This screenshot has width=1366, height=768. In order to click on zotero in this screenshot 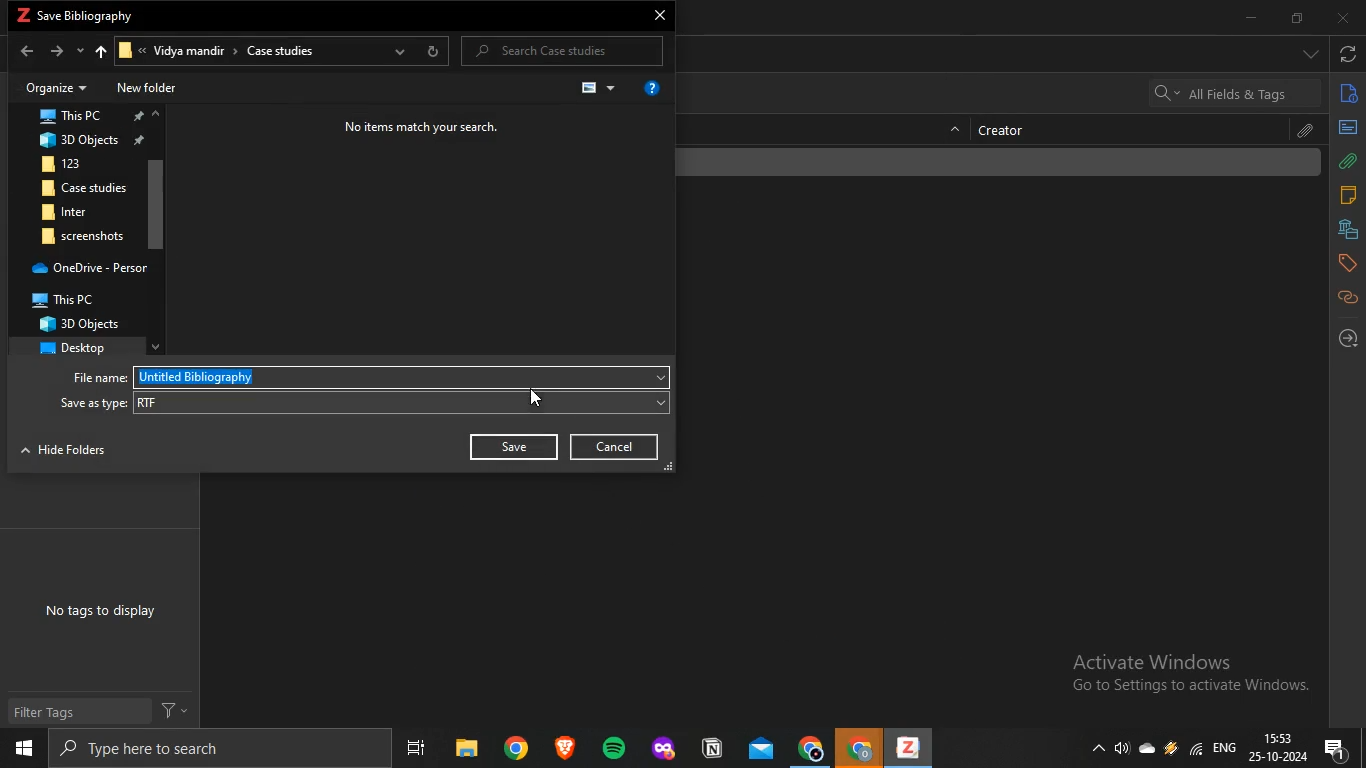, I will do `click(24, 18)`.